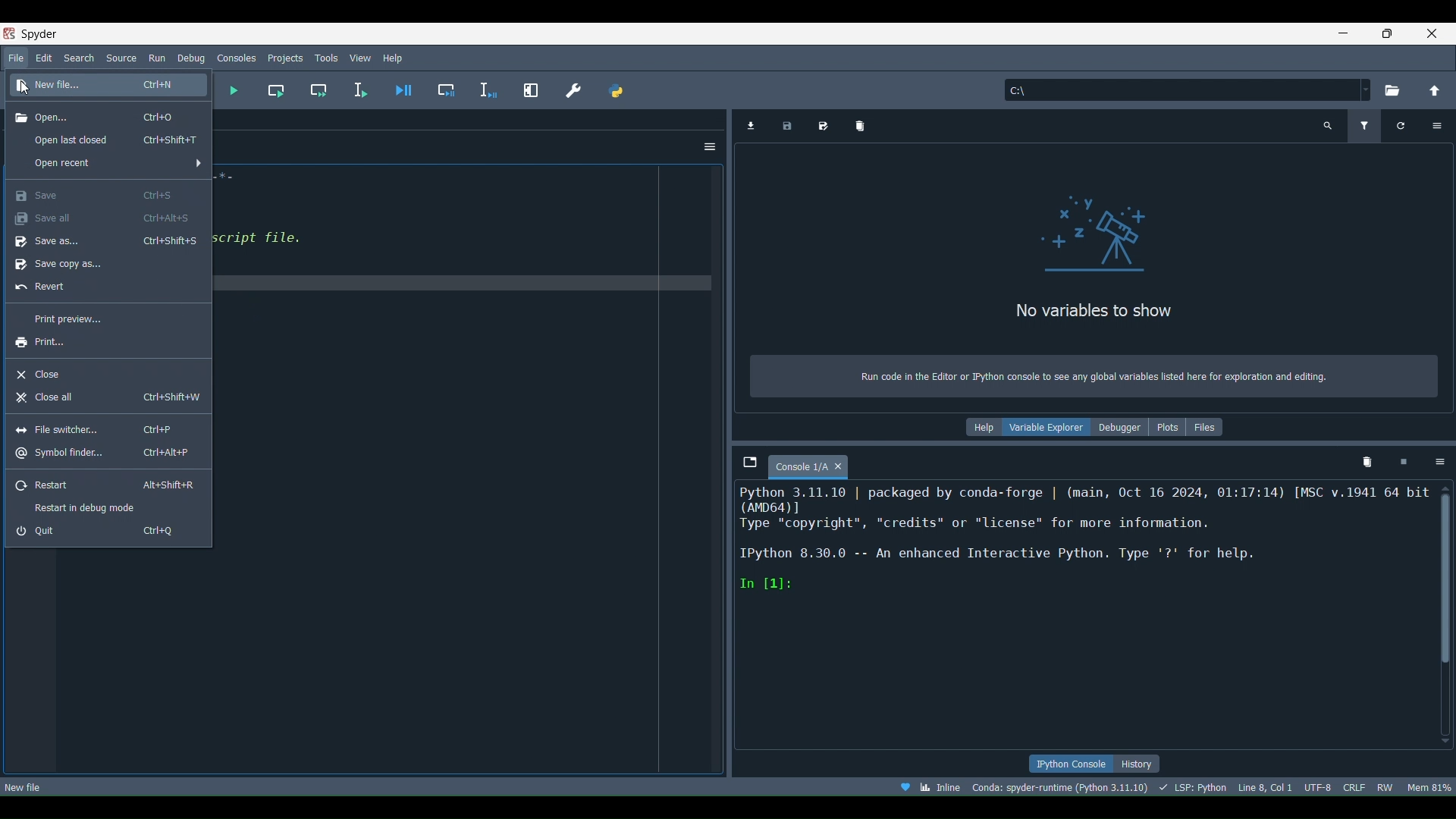  What do you see at coordinates (397, 56) in the screenshot?
I see `Help` at bounding box center [397, 56].